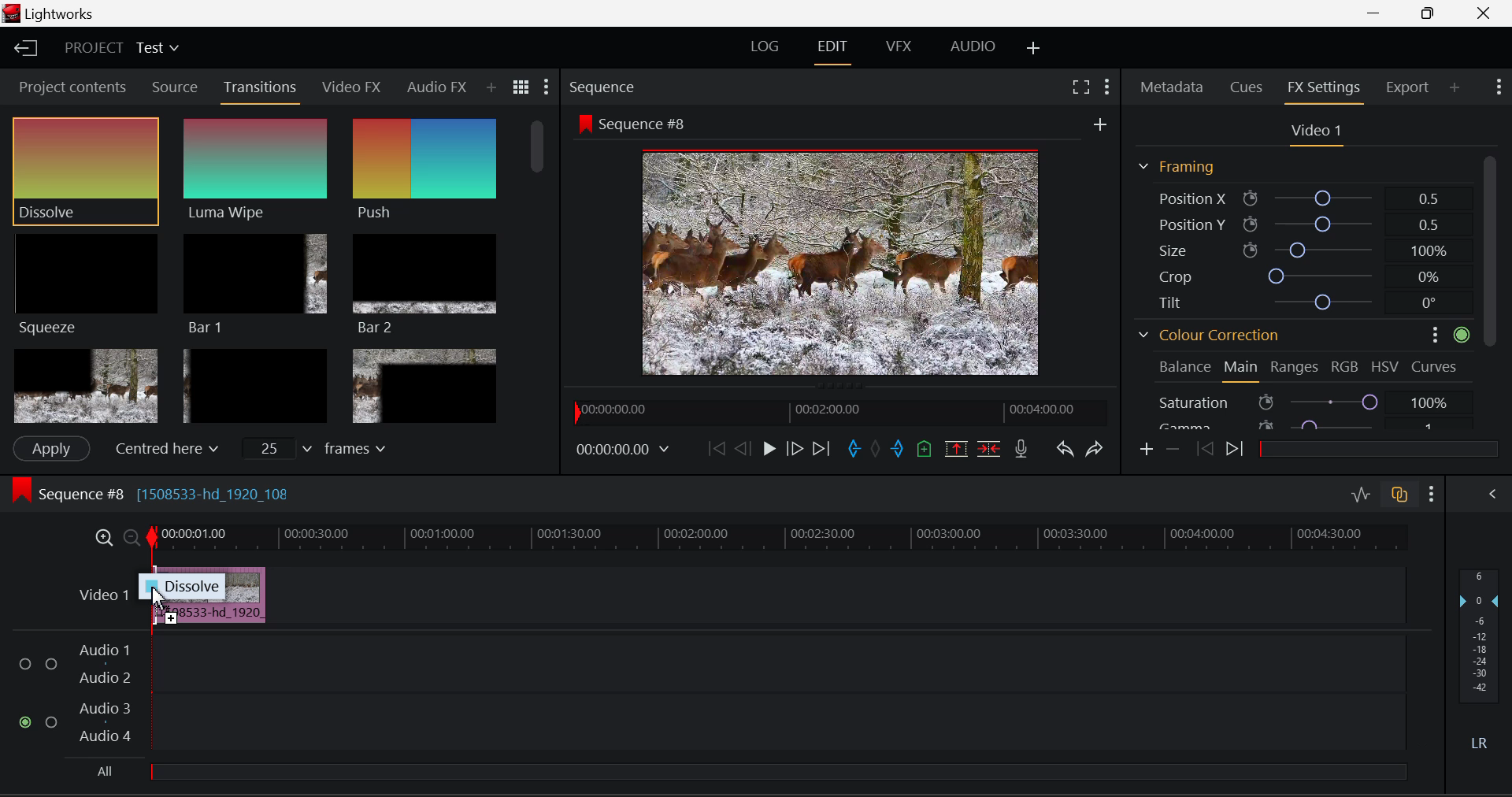  What do you see at coordinates (104, 679) in the screenshot?
I see `Audio 2` at bounding box center [104, 679].